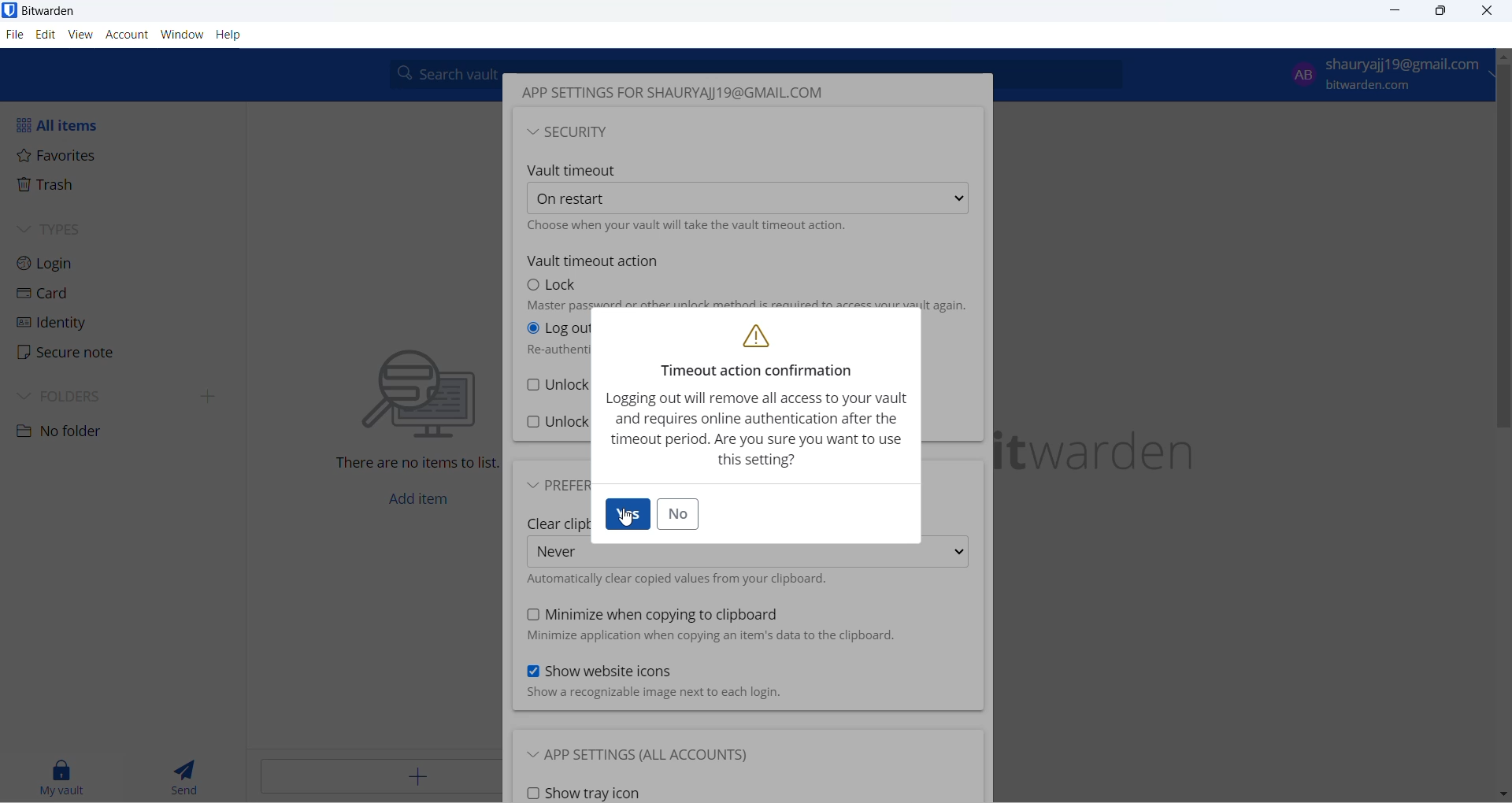  What do you see at coordinates (54, 297) in the screenshot?
I see `Card` at bounding box center [54, 297].